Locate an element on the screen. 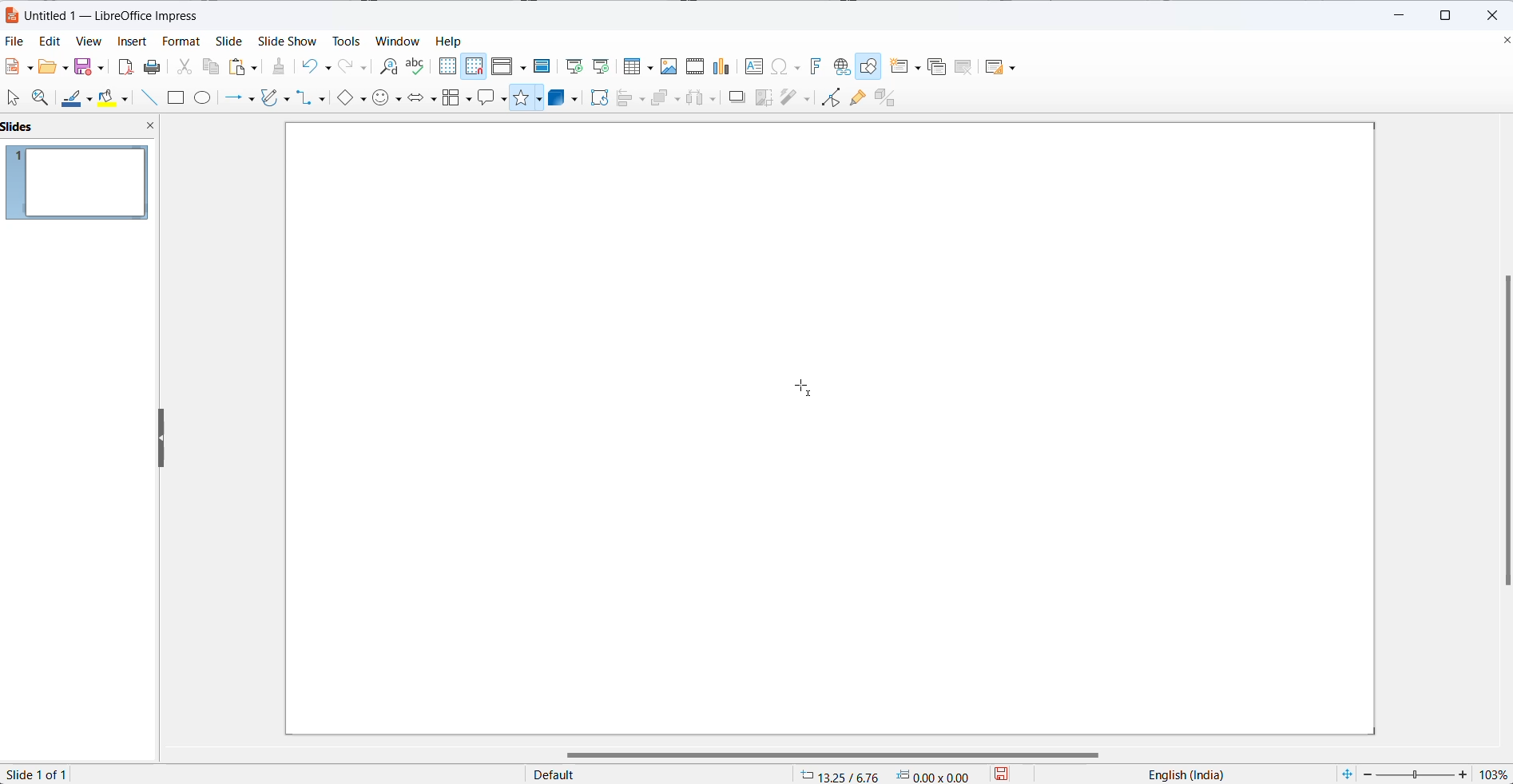  fill color is located at coordinates (117, 97).